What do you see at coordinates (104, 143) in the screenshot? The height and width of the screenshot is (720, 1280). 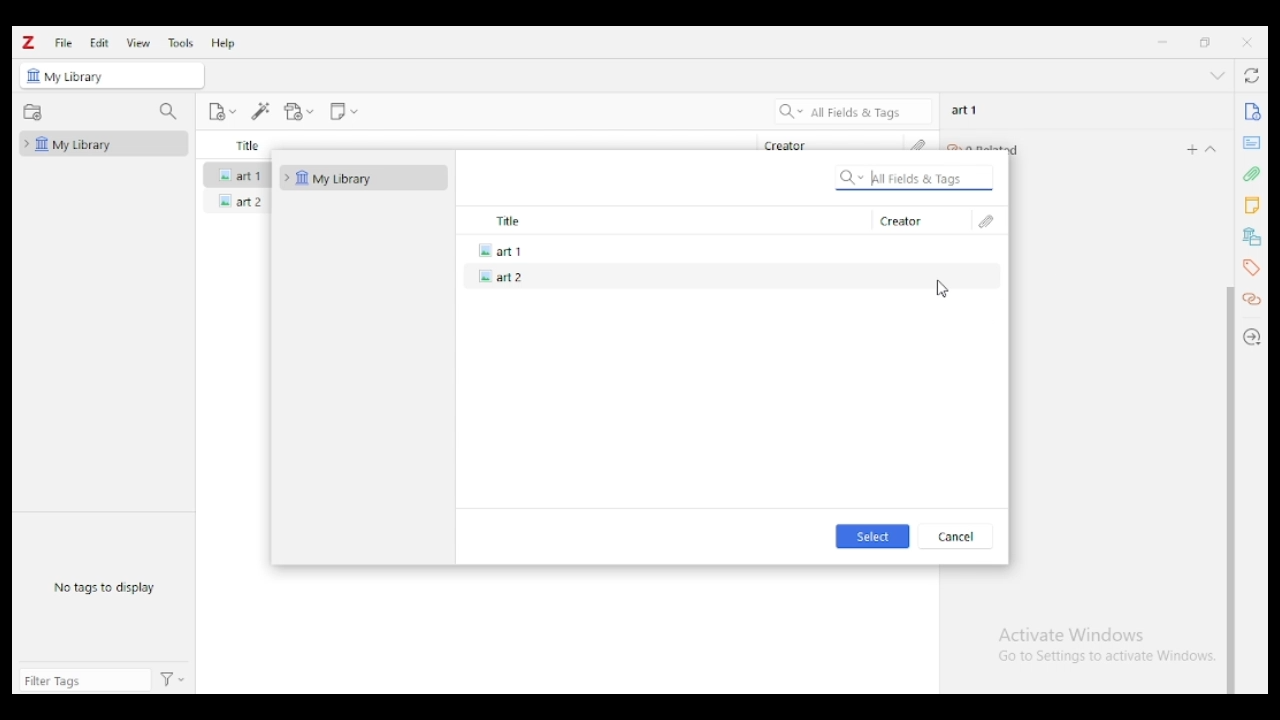 I see `my library` at bounding box center [104, 143].